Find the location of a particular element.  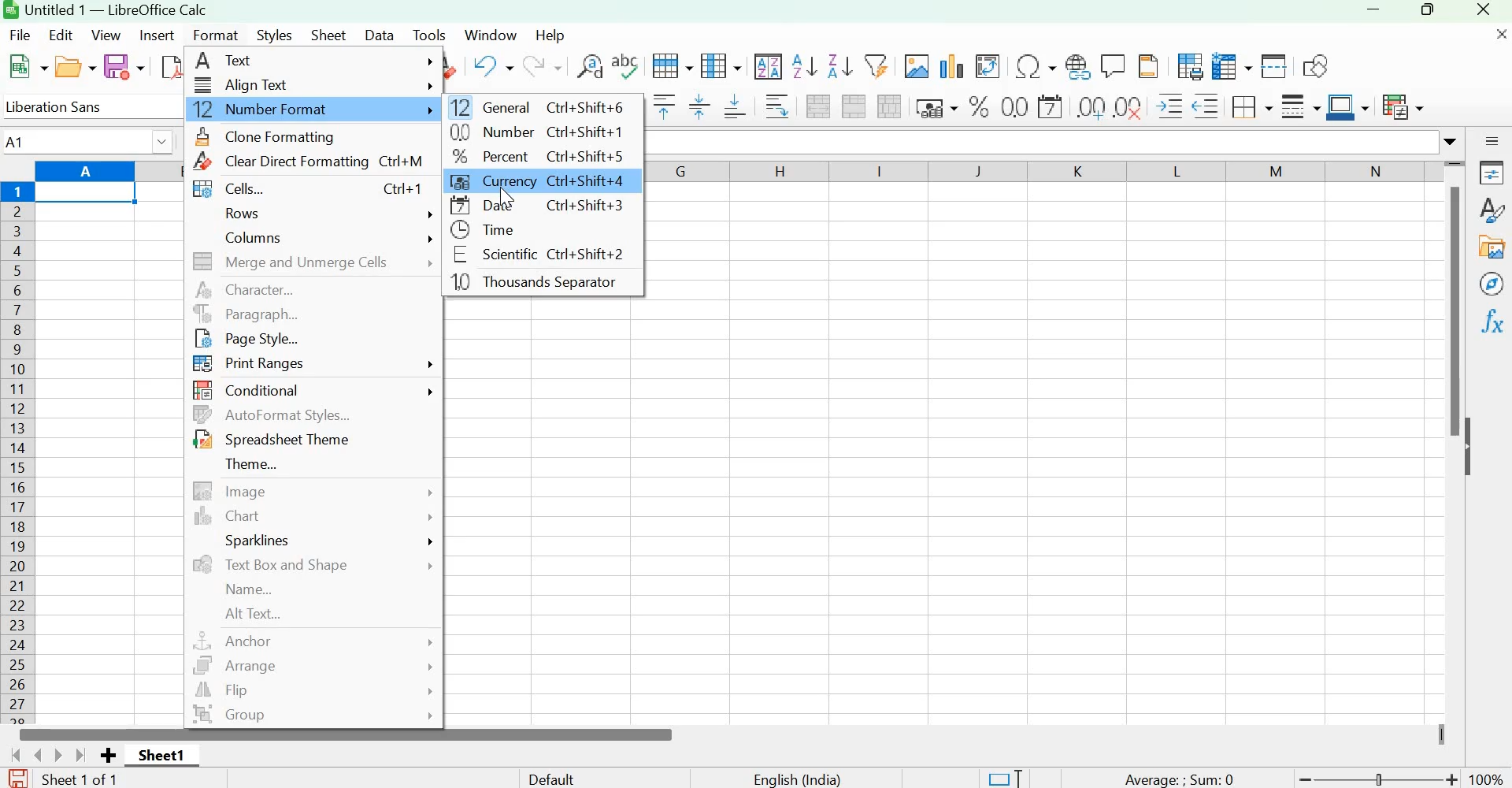

Insert special characters is located at coordinates (1034, 64).